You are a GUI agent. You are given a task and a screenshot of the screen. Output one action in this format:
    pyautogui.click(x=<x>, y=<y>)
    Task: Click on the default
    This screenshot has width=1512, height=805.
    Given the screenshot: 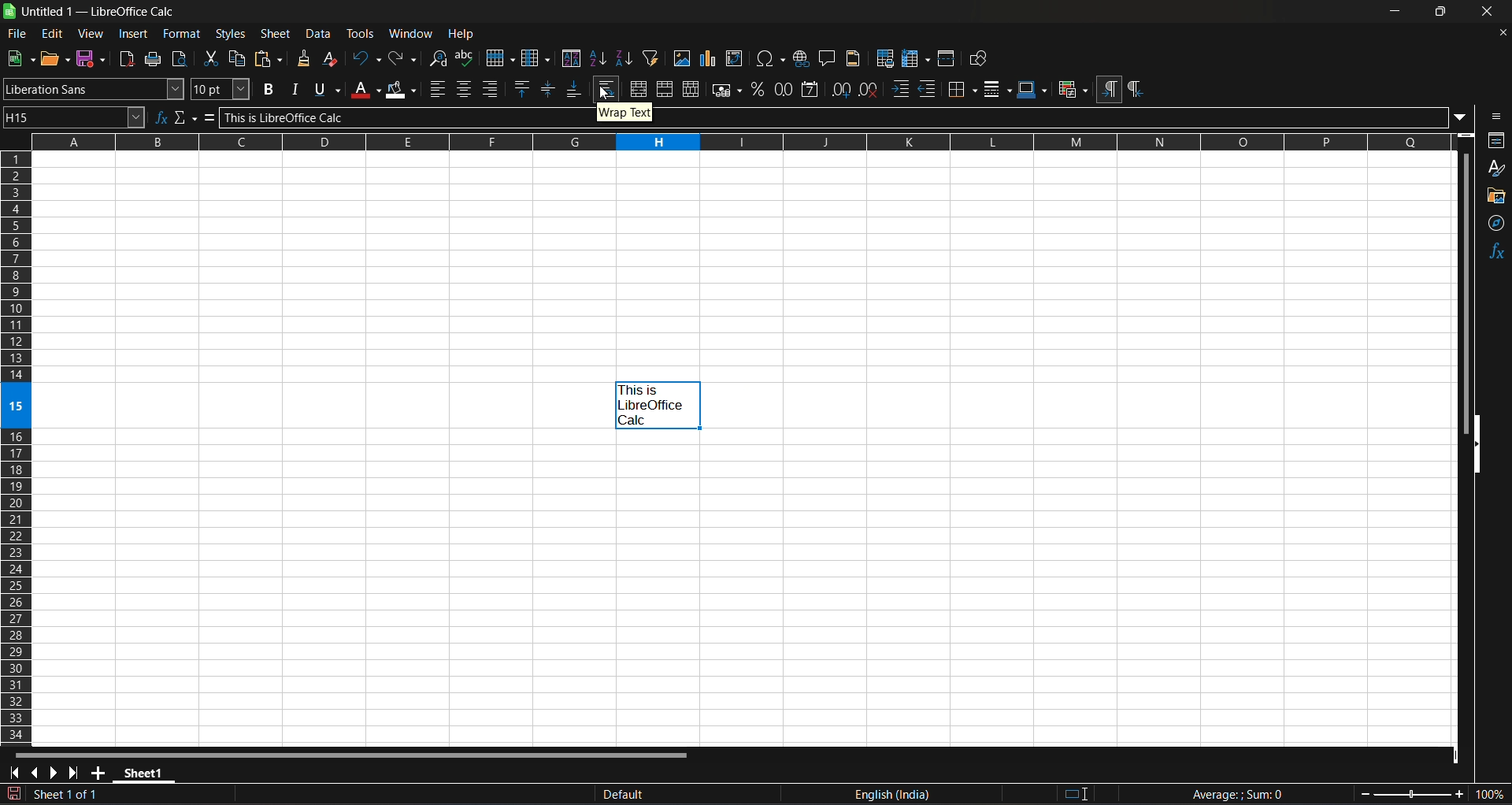 What is the action you would take?
    pyautogui.click(x=662, y=796)
    